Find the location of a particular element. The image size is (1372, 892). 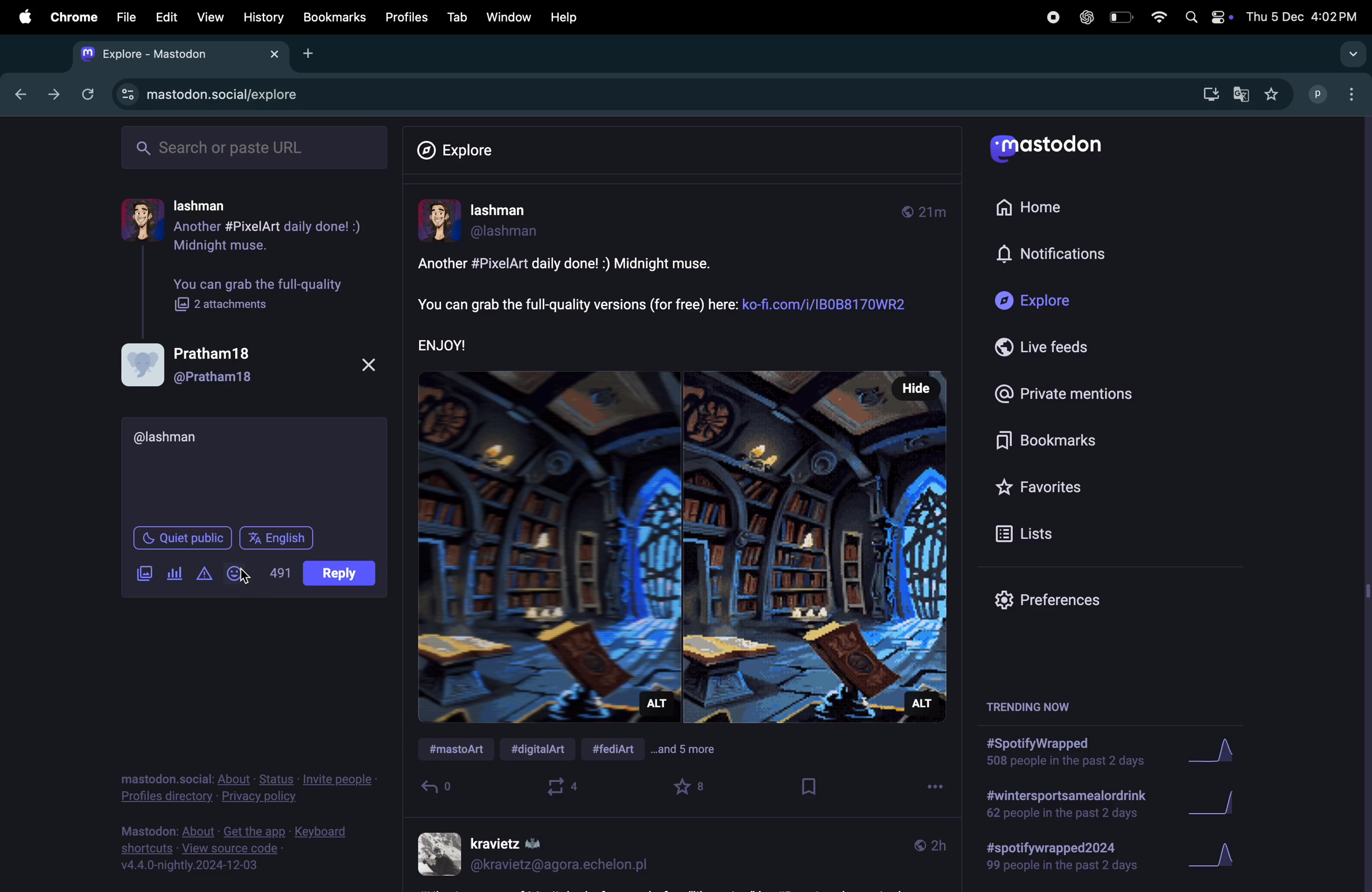

help is located at coordinates (567, 16).